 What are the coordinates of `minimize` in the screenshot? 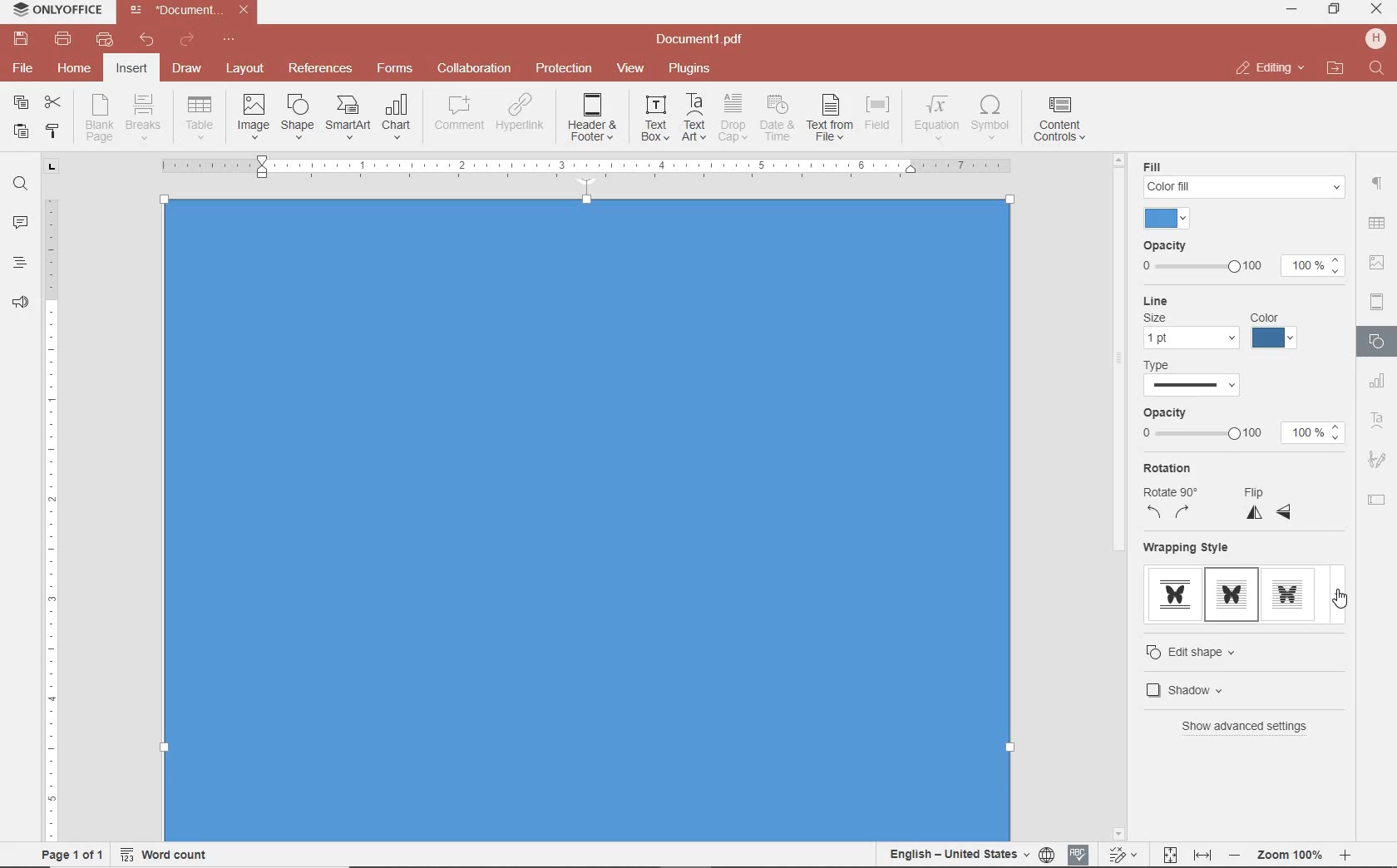 It's located at (1293, 9).